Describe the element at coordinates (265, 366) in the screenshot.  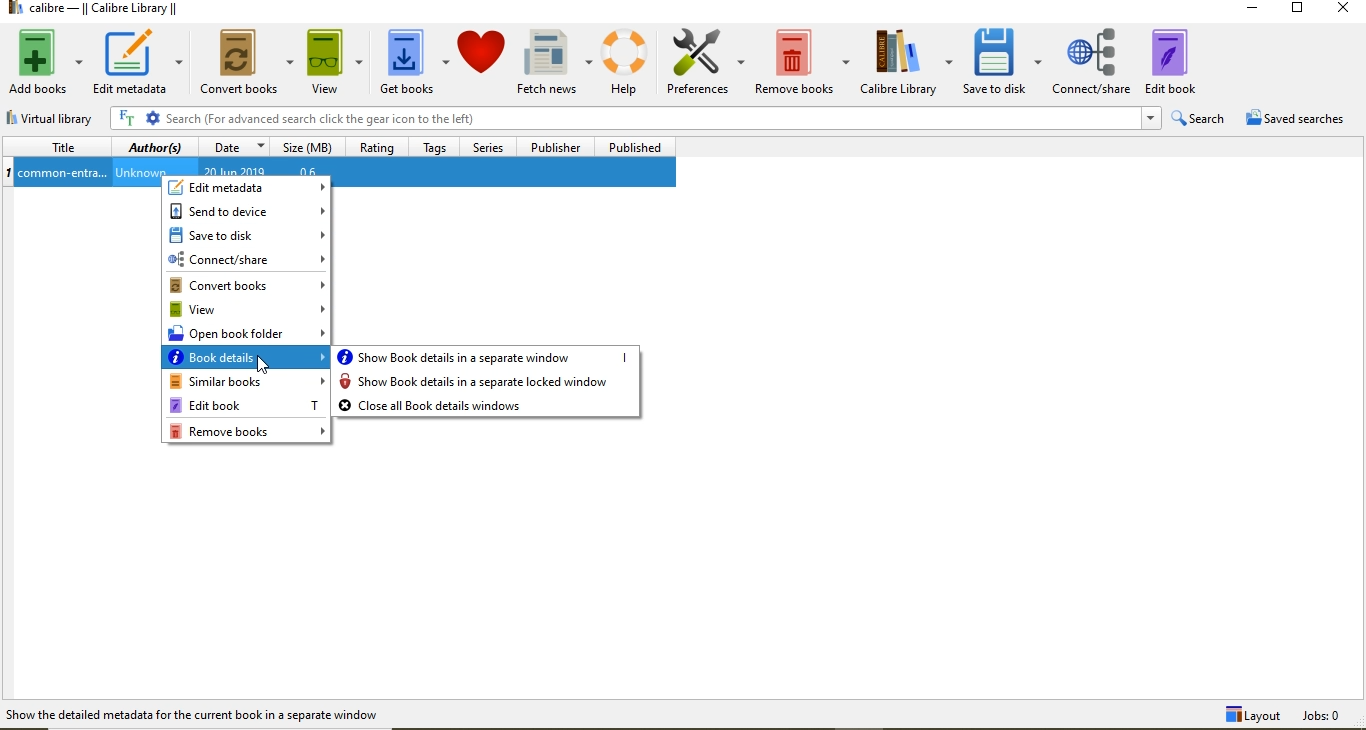
I see `cursor` at that location.